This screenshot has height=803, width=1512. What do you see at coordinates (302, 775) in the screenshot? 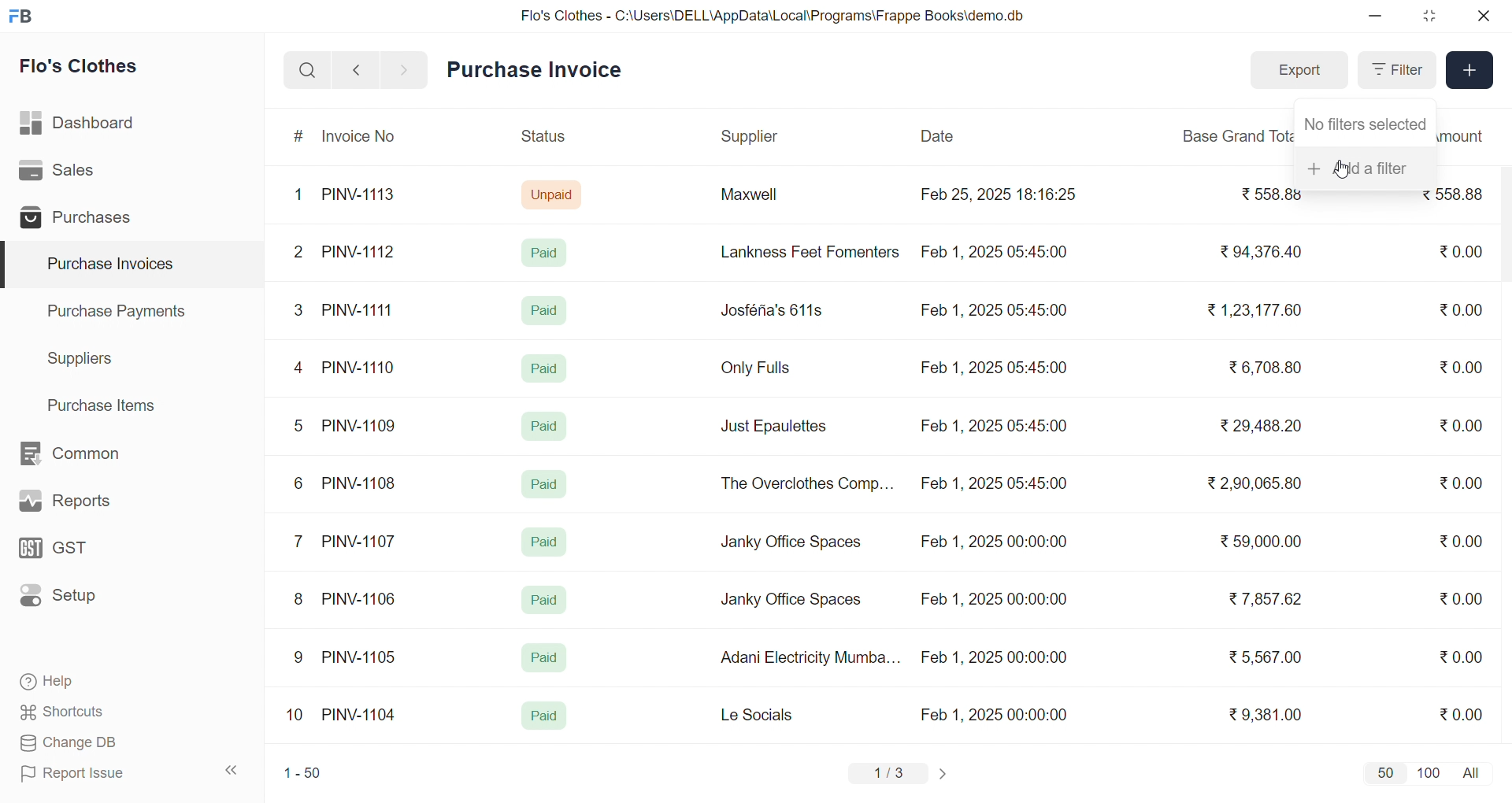
I see `1-50` at bounding box center [302, 775].